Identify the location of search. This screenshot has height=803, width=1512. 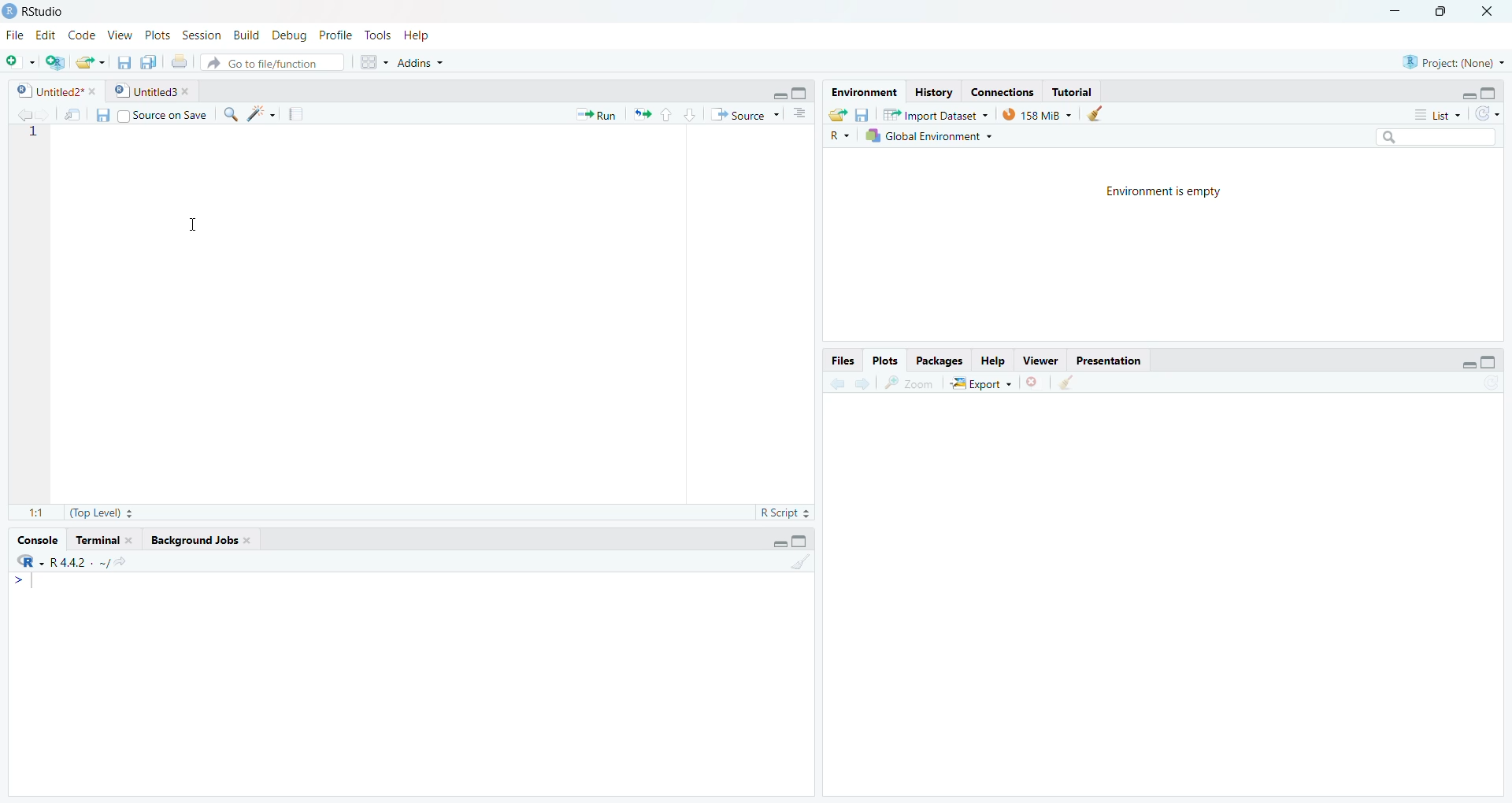
(1432, 138).